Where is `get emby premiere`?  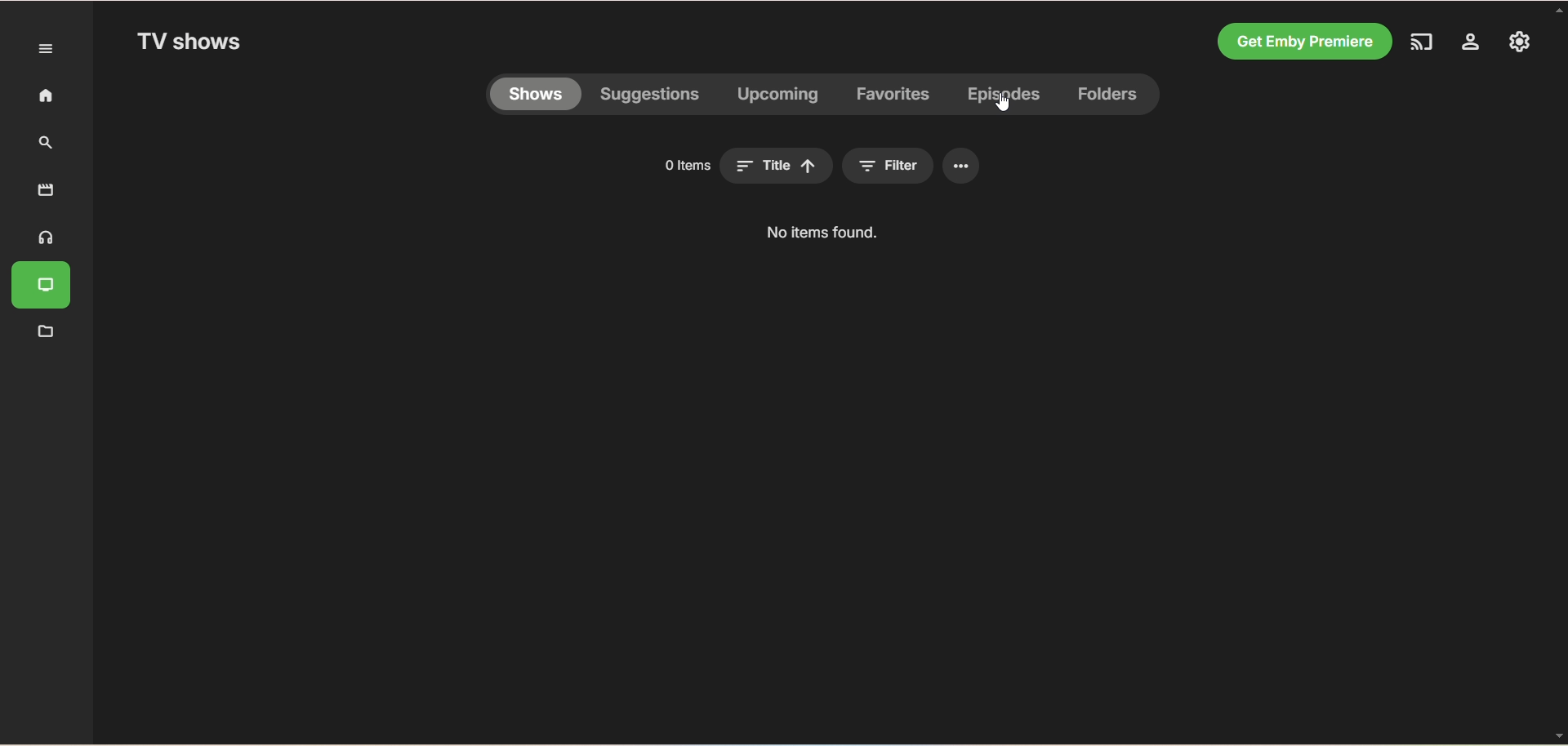 get emby premiere is located at coordinates (1306, 40).